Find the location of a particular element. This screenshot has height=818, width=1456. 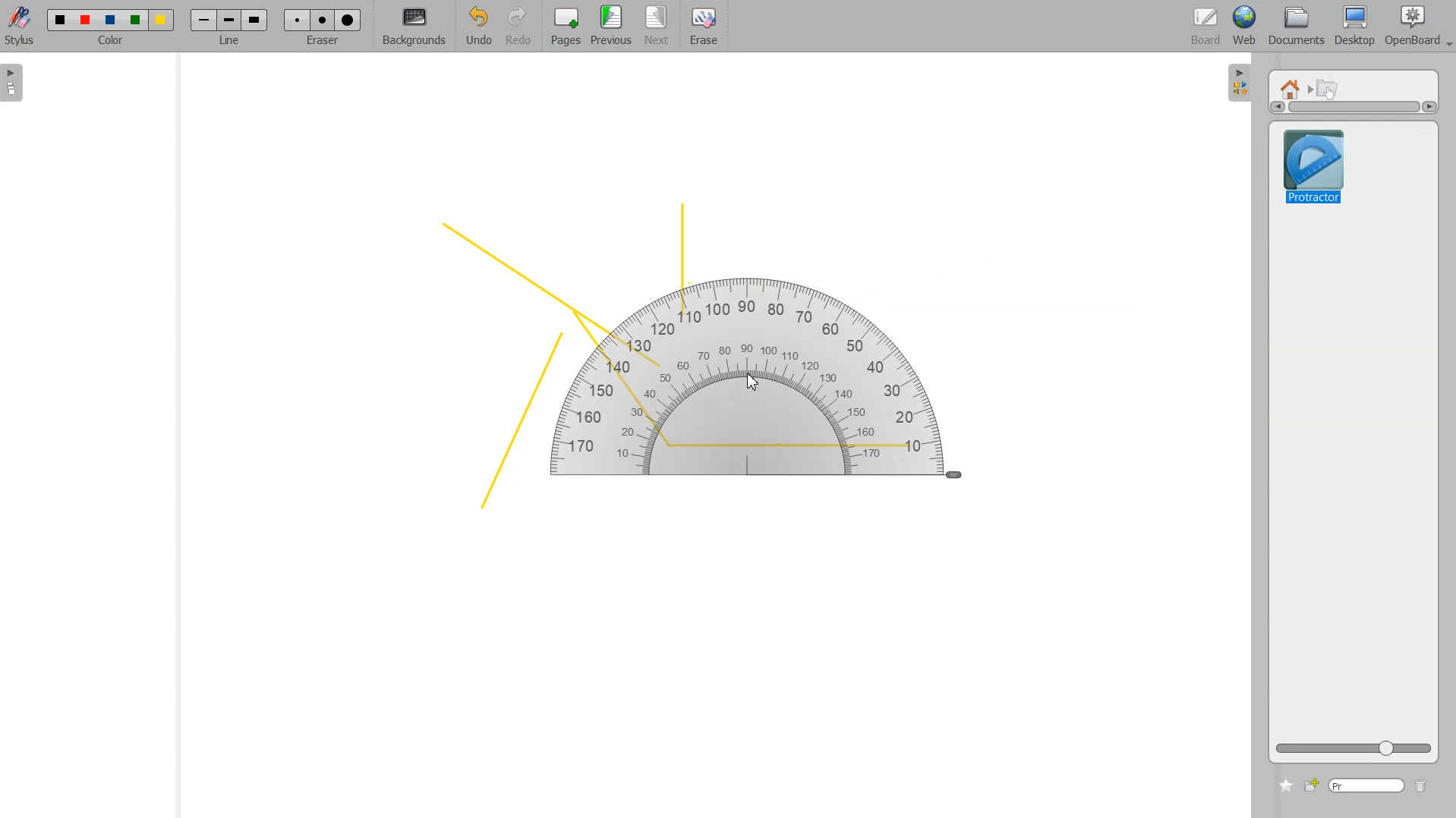

Board is located at coordinates (1206, 27).